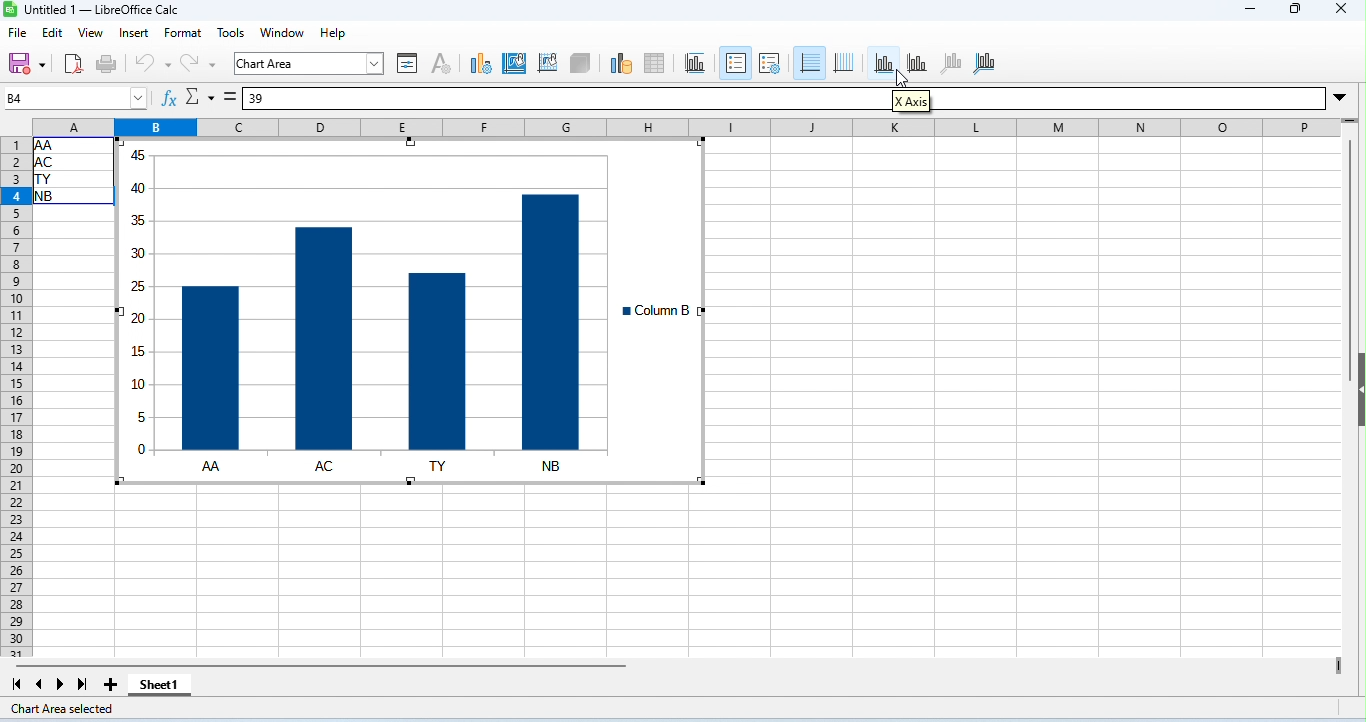 The width and height of the screenshot is (1366, 722). Describe the element at coordinates (1335, 666) in the screenshot. I see `drag to view more columns` at that location.